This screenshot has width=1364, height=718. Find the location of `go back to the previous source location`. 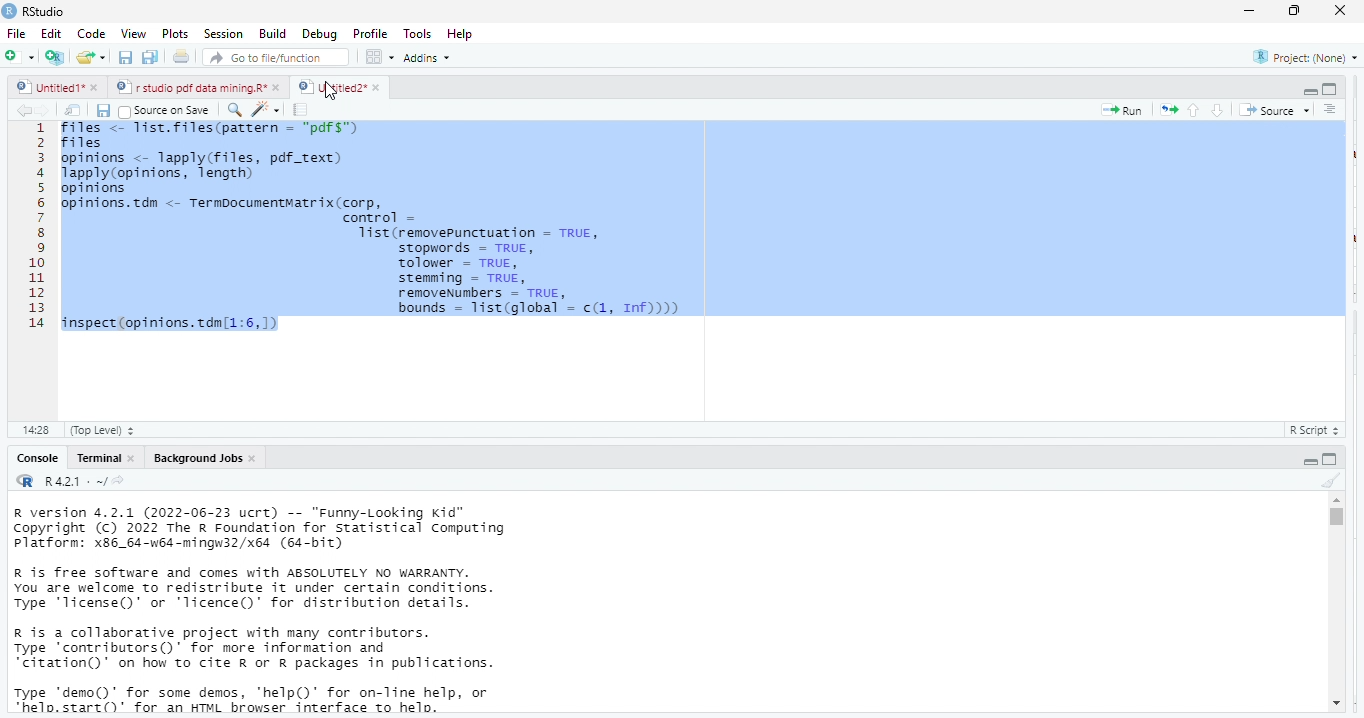

go back to the previous source location is located at coordinates (24, 110).